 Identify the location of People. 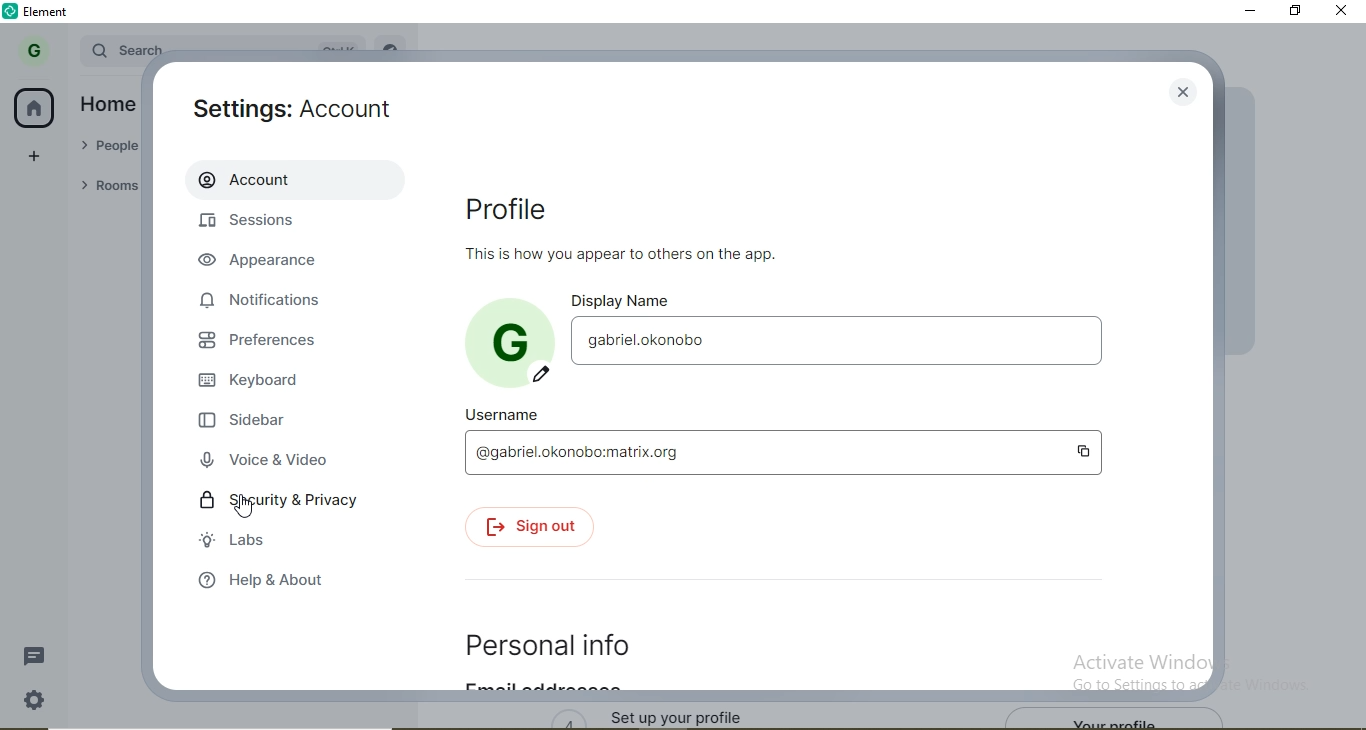
(107, 144).